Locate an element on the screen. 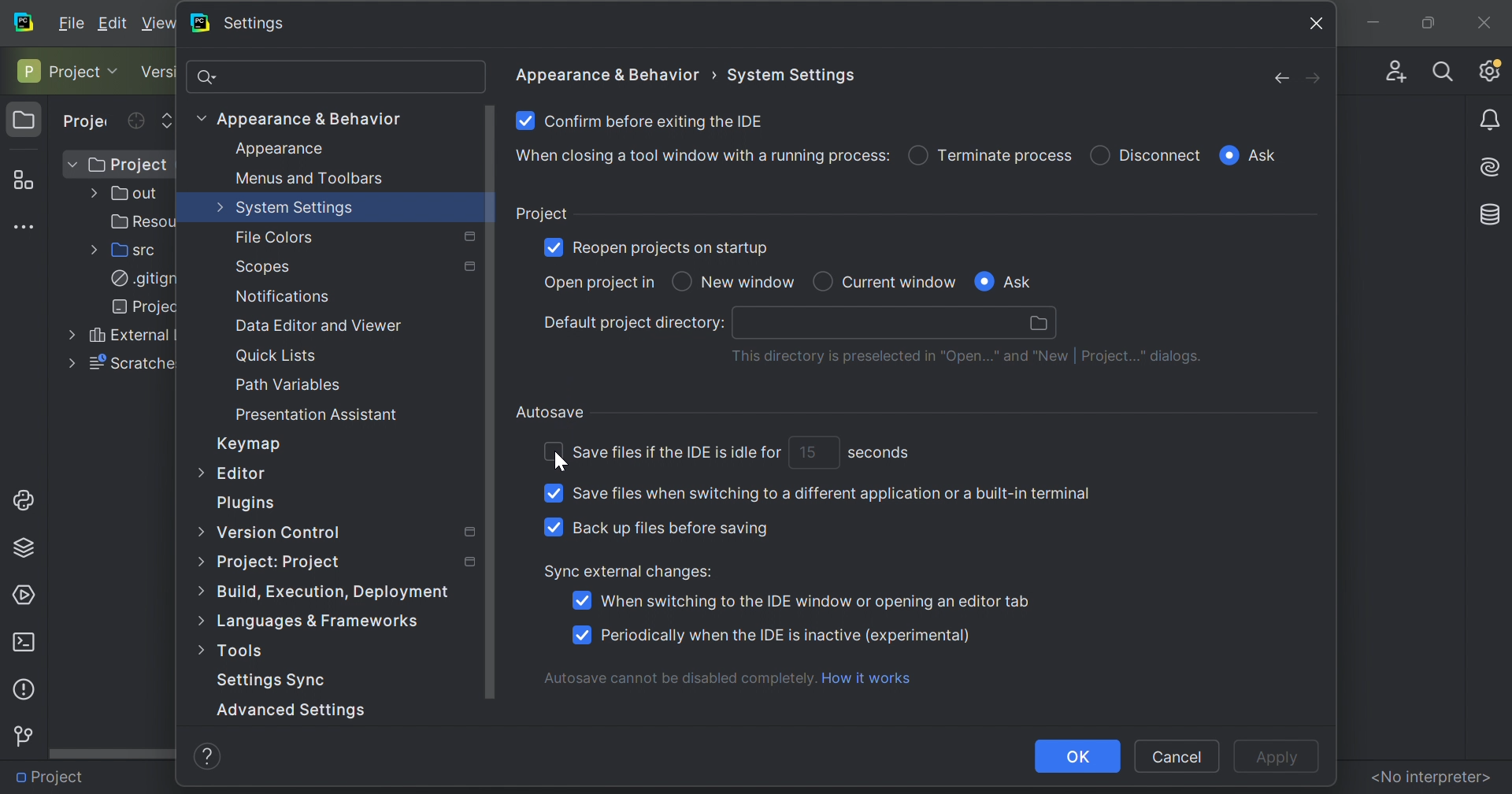  Ask is located at coordinates (1024, 283).